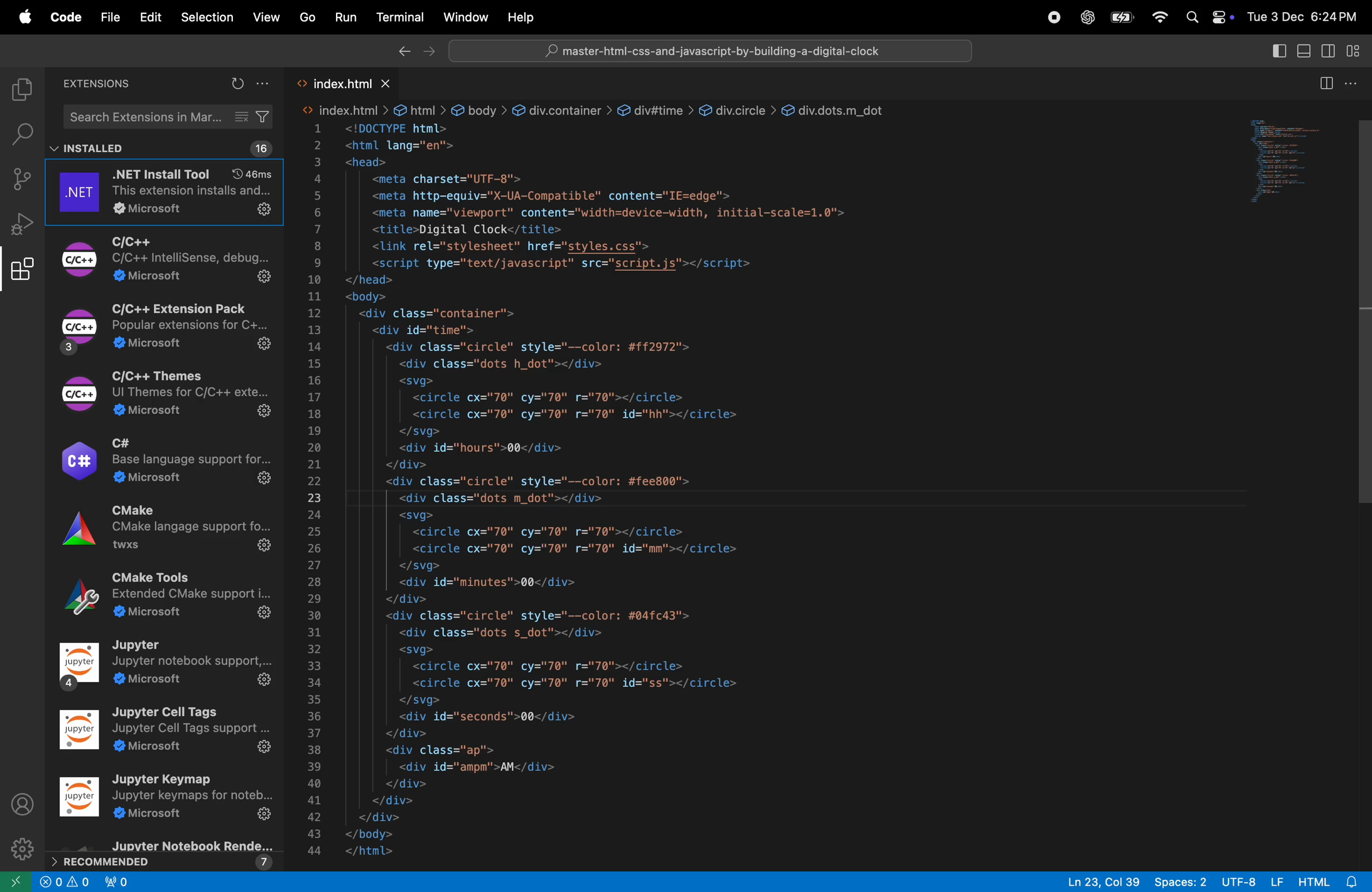  I want to click on date and time, so click(1303, 14).